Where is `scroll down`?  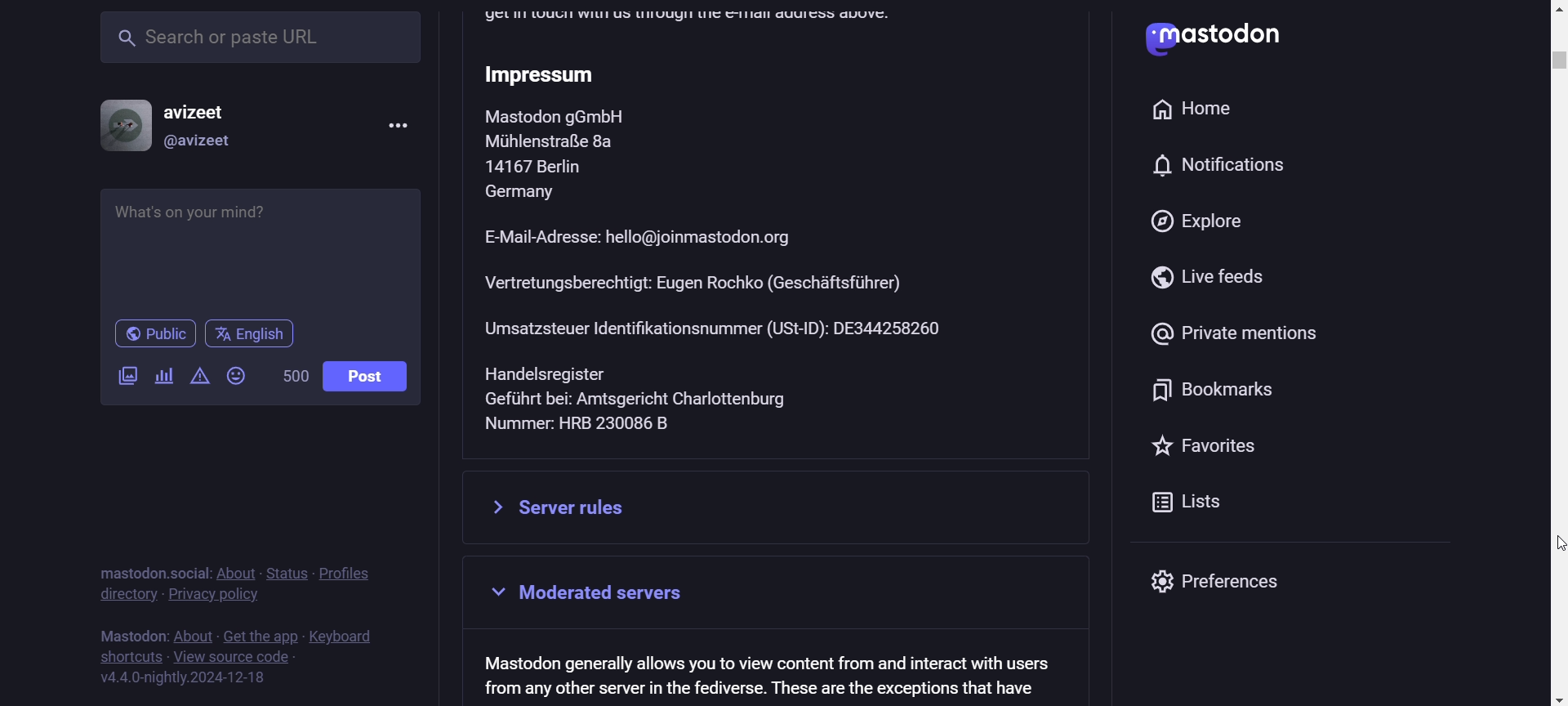 scroll down is located at coordinates (1548, 700).